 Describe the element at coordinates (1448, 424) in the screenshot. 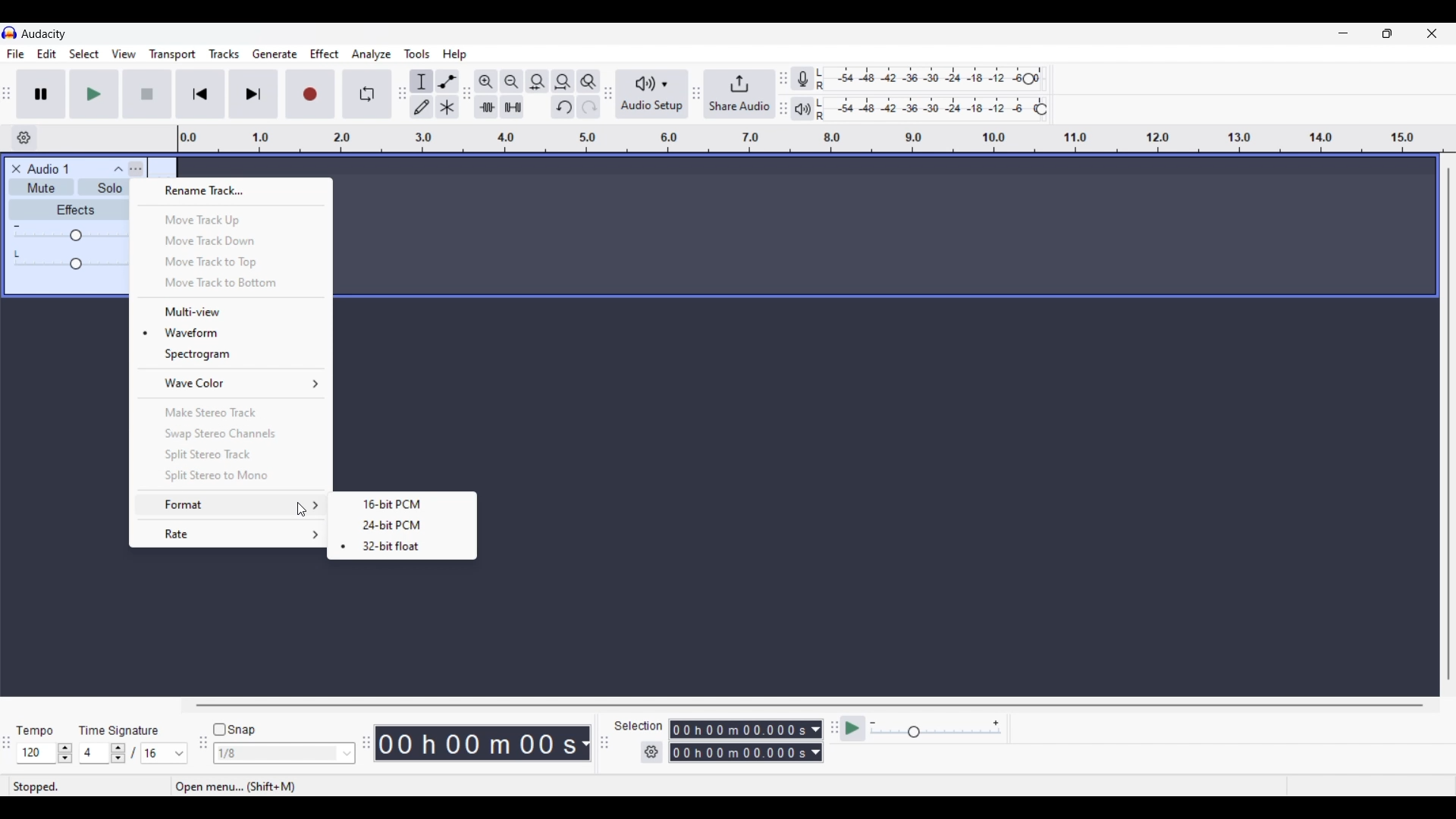

I see `Vertical slide bar` at that location.